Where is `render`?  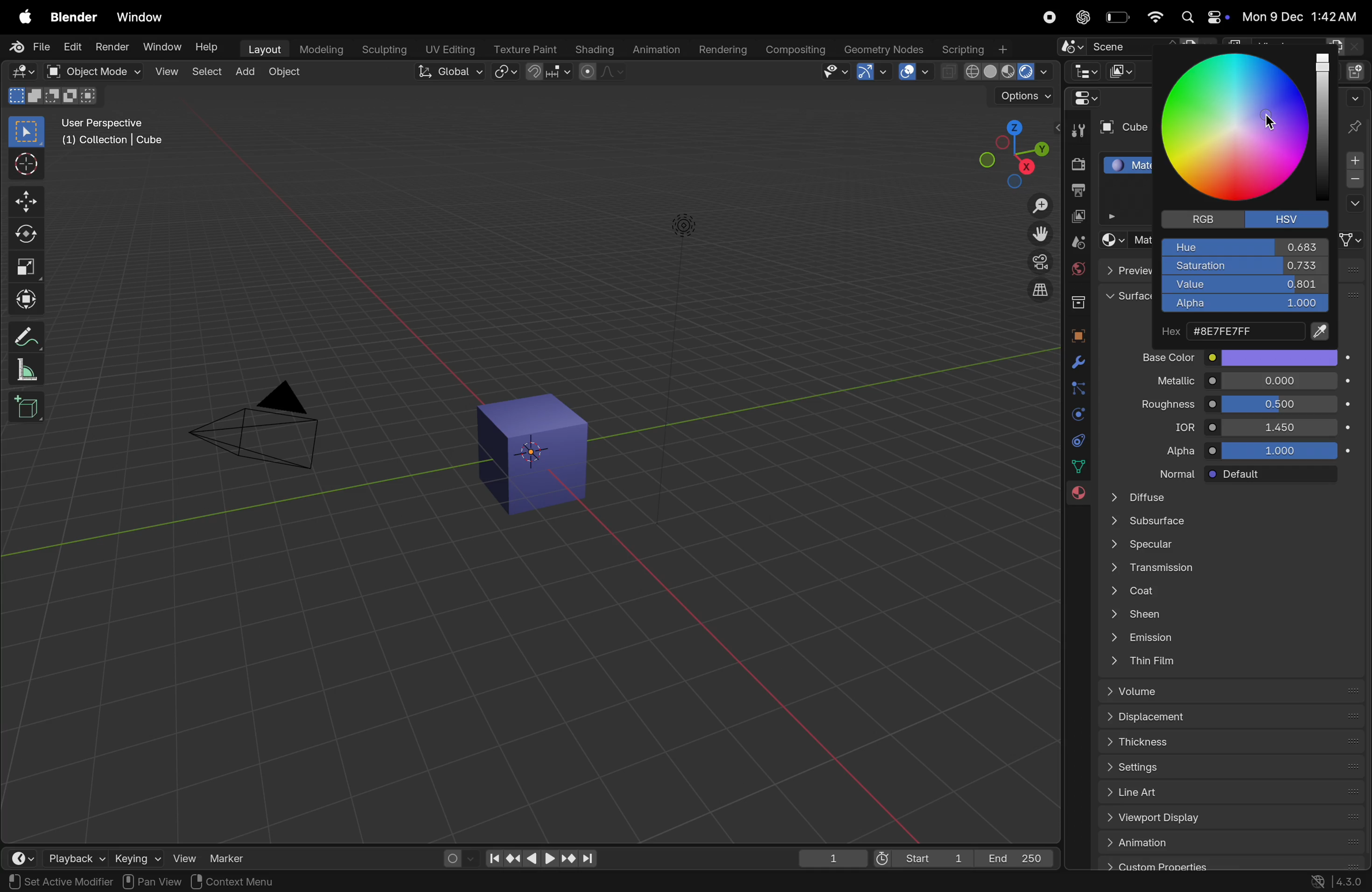
render is located at coordinates (1075, 165).